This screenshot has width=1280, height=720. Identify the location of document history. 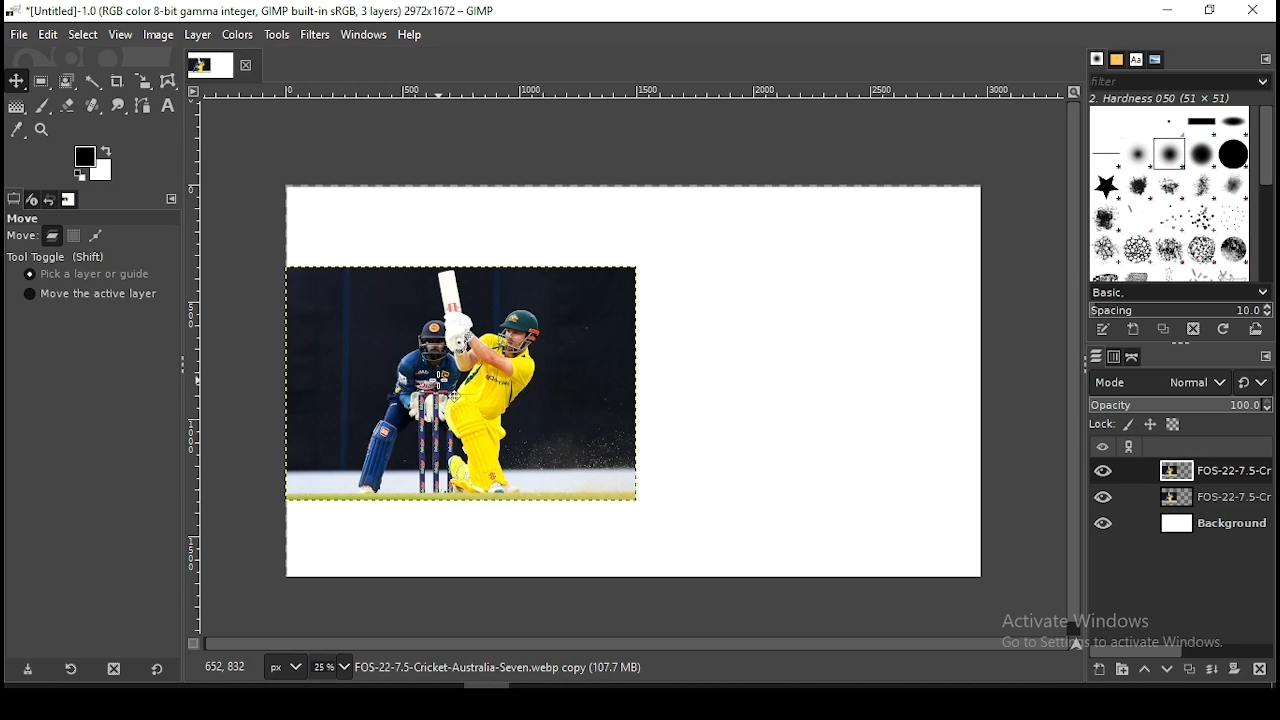
(1156, 60).